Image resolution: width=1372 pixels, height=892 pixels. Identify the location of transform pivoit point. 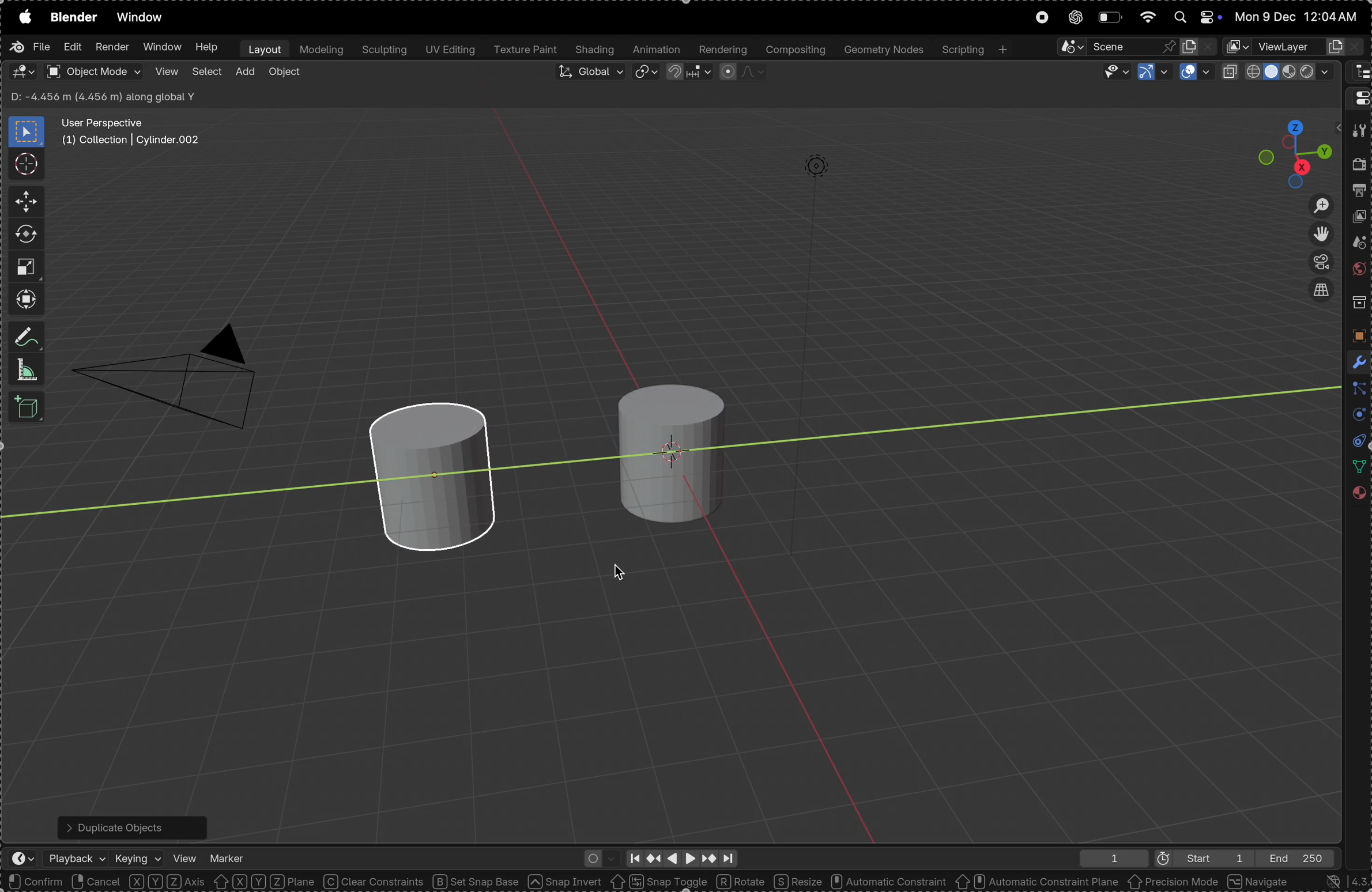
(647, 73).